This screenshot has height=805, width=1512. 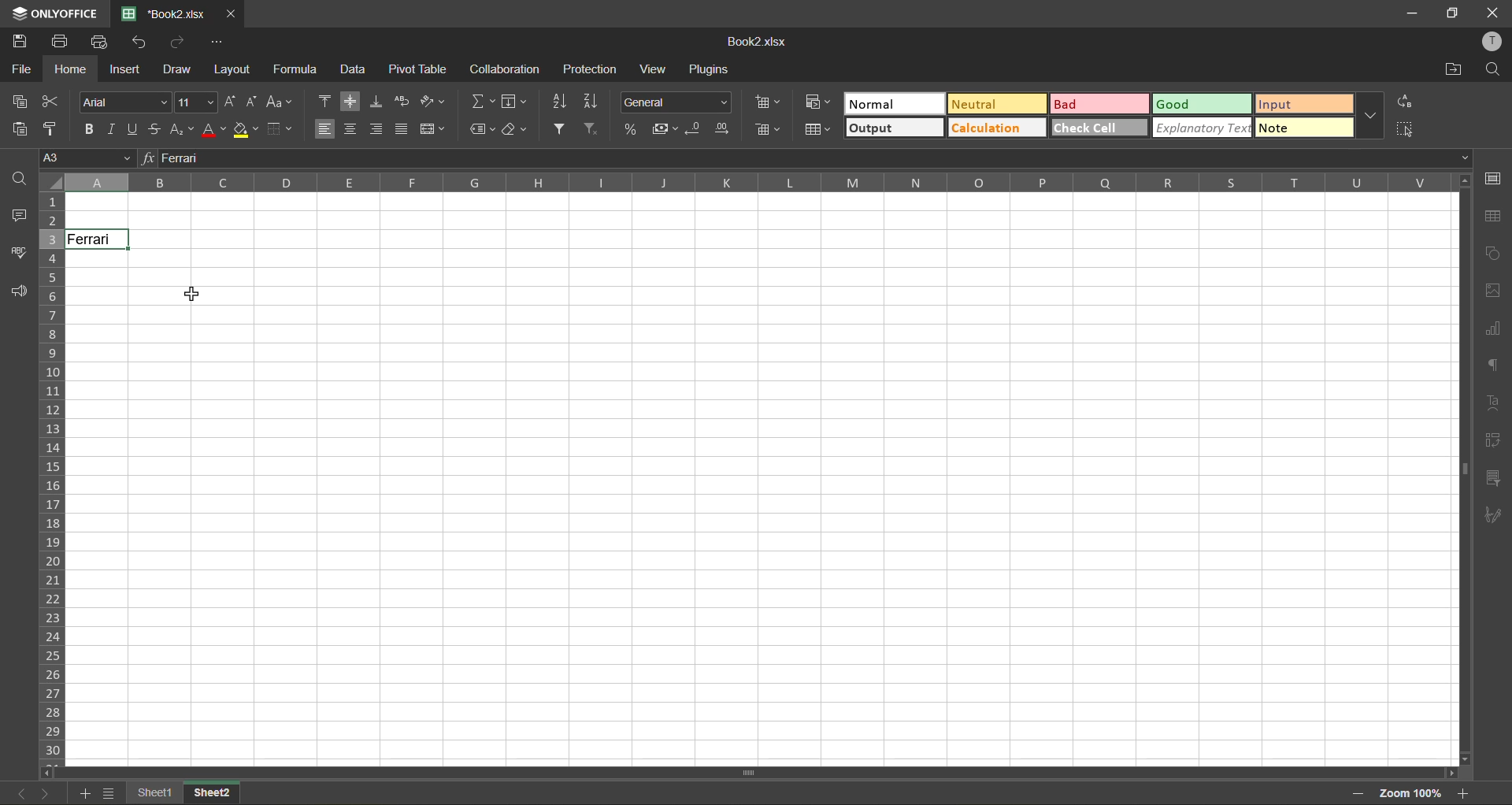 What do you see at coordinates (720, 128) in the screenshot?
I see `increase decimal` at bounding box center [720, 128].